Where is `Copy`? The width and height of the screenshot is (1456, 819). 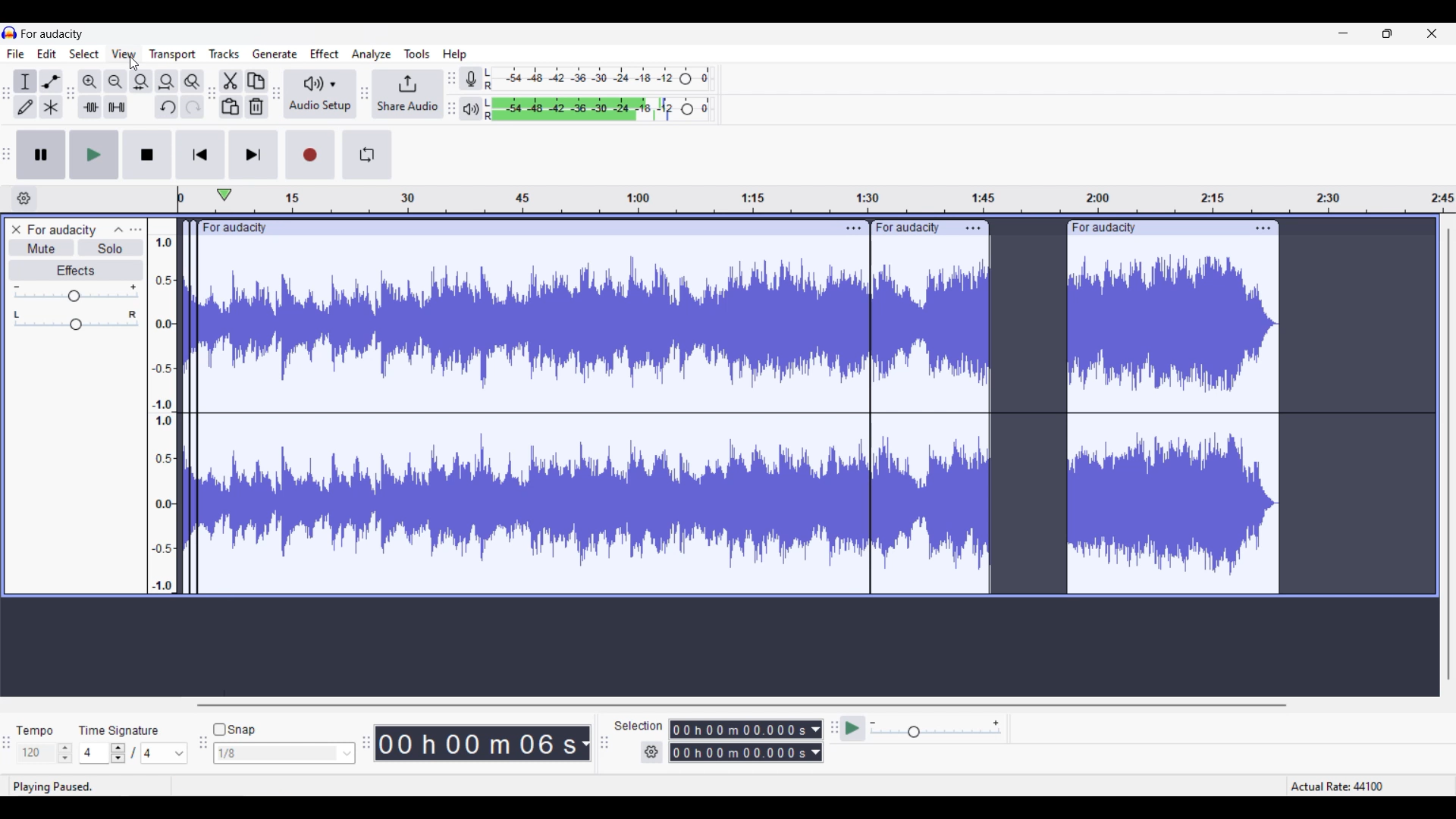
Copy is located at coordinates (257, 81).